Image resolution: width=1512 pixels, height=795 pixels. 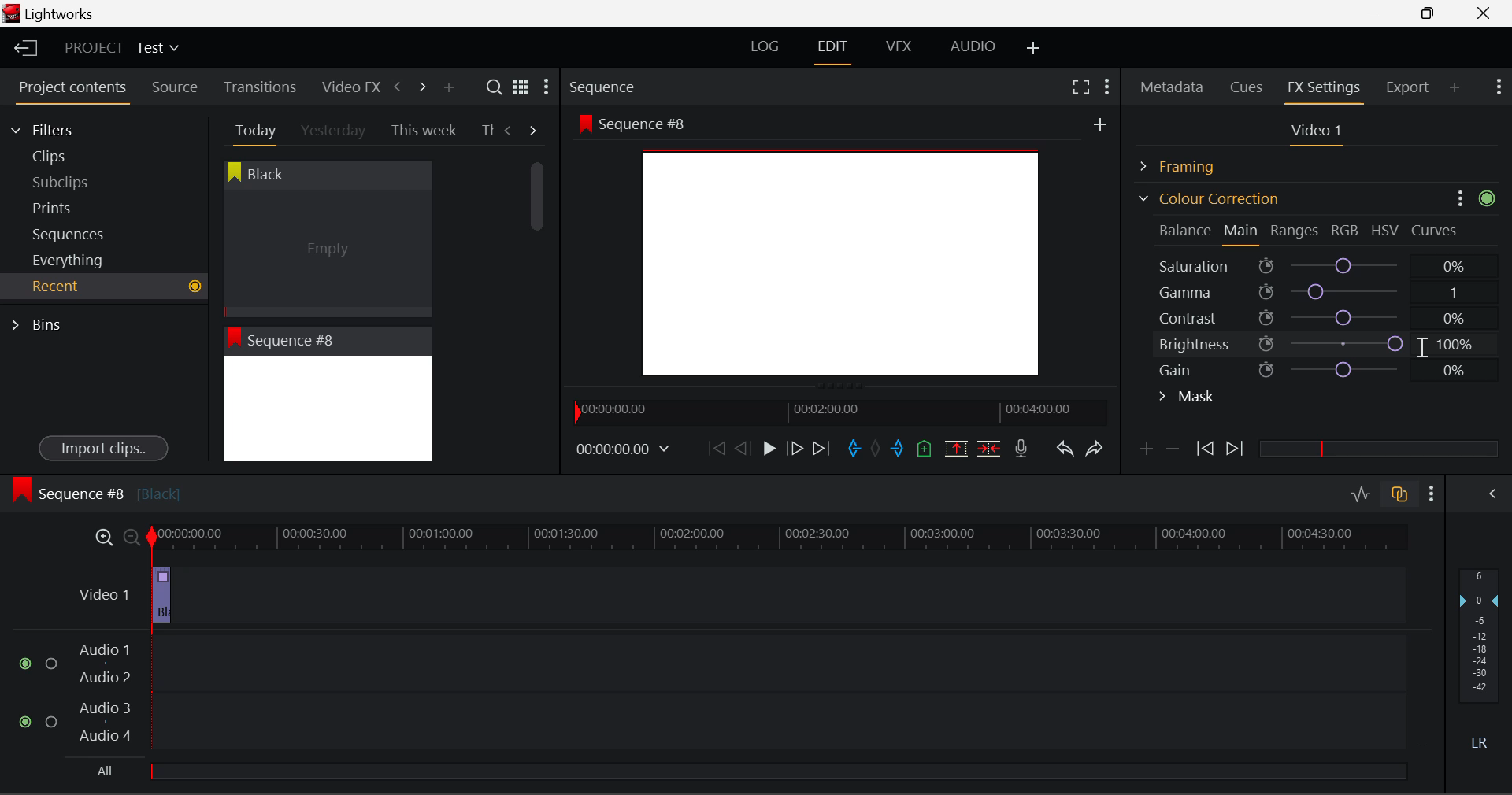 I want to click on Main Tab Open, so click(x=1242, y=232).